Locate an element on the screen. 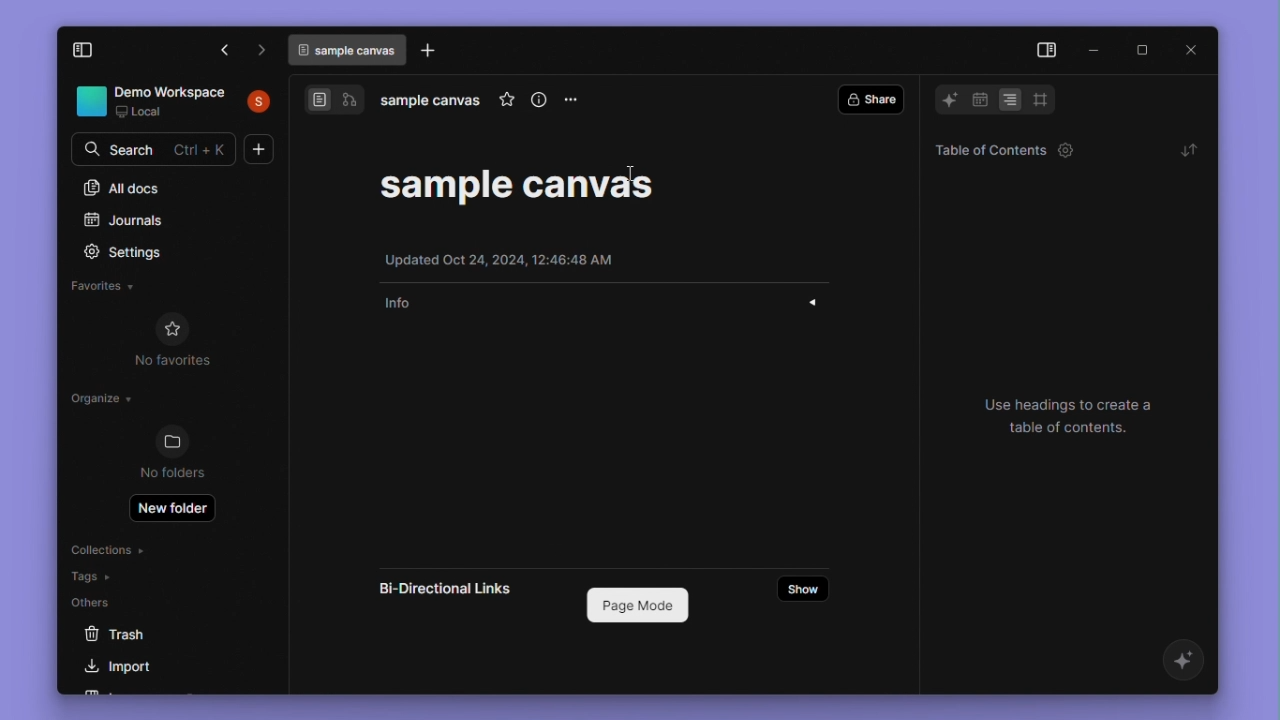 Image resolution: width=1280 pixels, height=720 pixels. cursor is located at coordinates (629, 173).